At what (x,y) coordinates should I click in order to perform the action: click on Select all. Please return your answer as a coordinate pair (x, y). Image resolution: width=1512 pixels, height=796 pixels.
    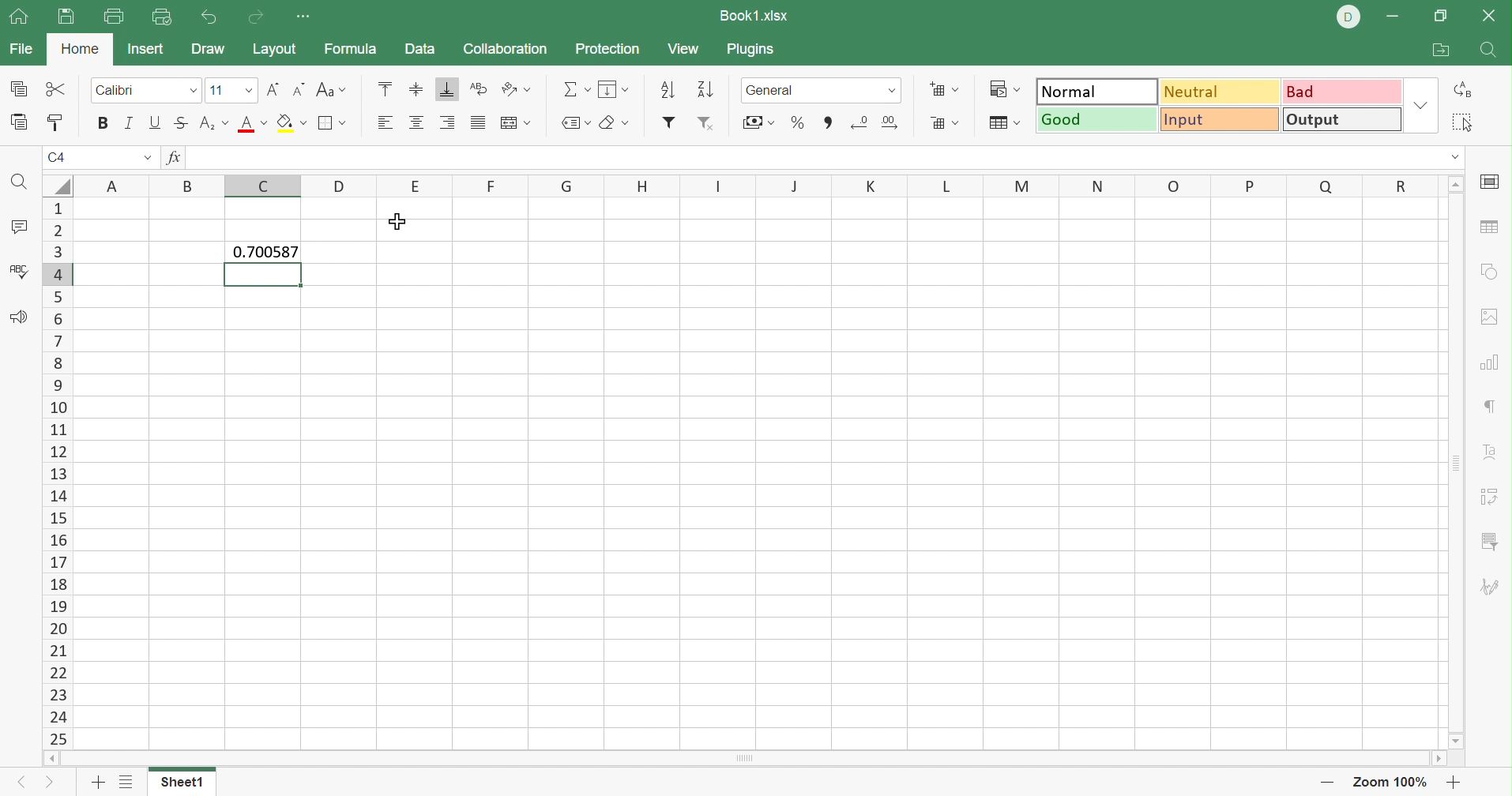
    Looking at the image, I should click on (1465, 123).